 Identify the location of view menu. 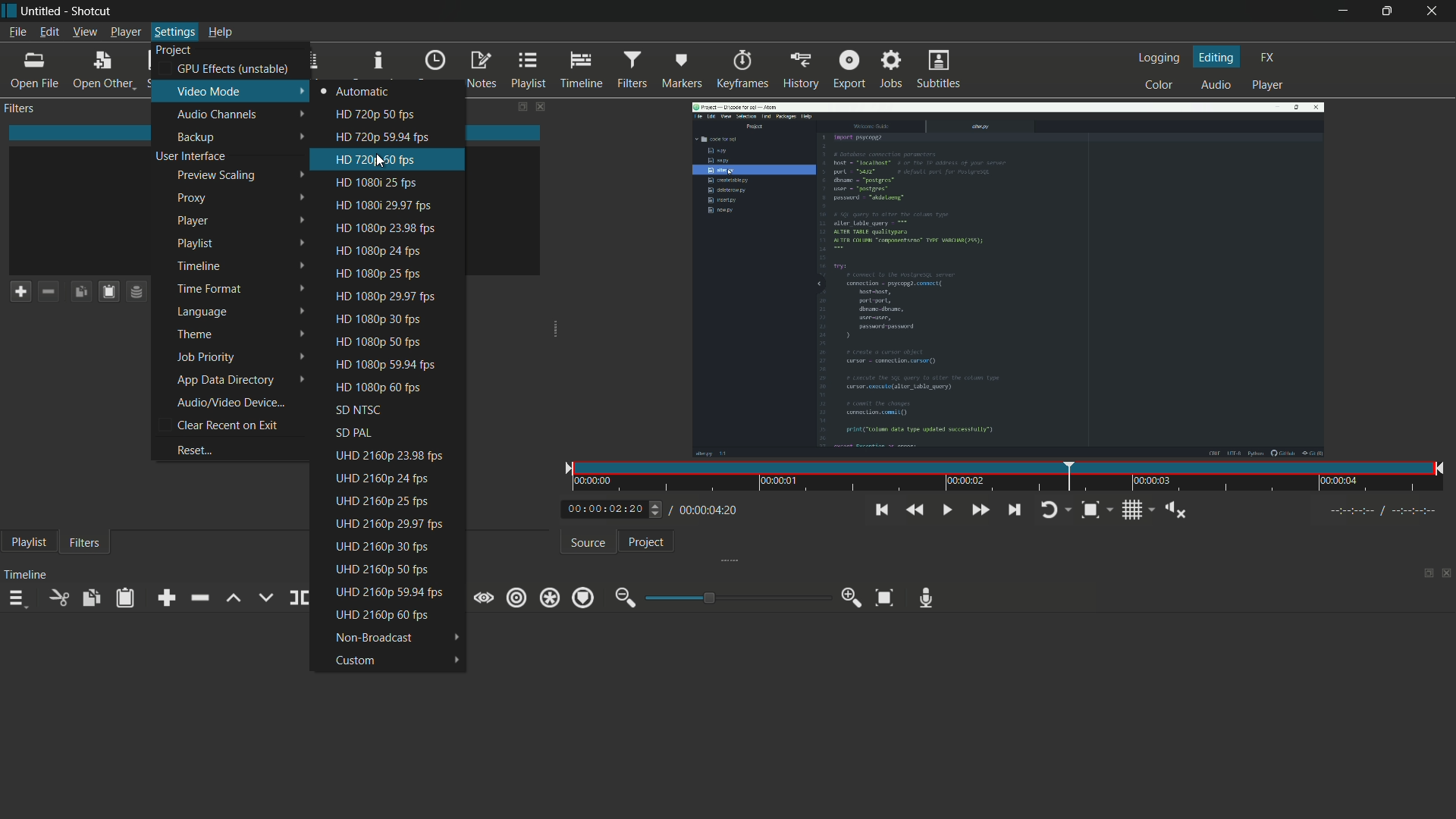
(85, 33).